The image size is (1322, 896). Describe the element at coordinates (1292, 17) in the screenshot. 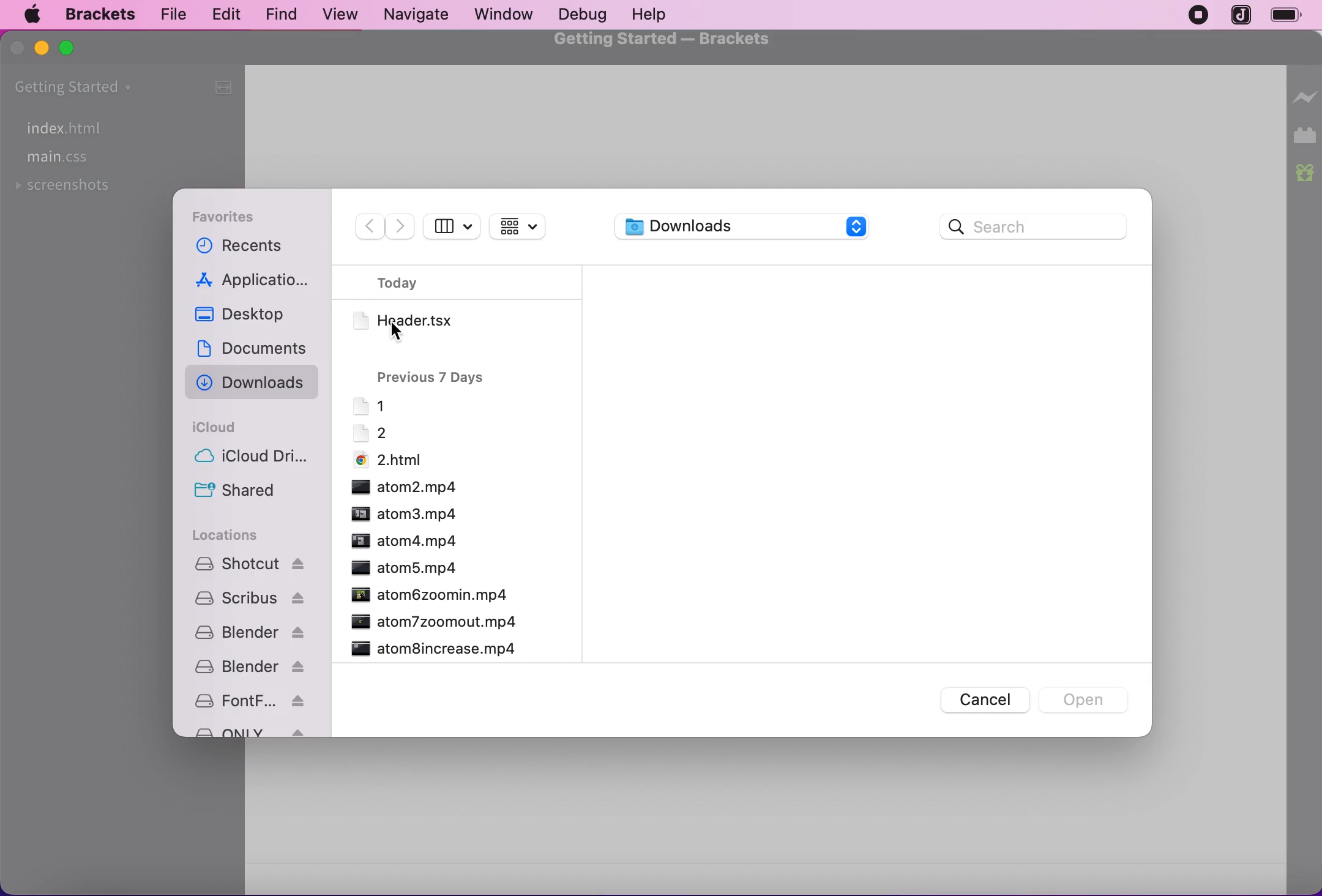

I see `battery` at that location.